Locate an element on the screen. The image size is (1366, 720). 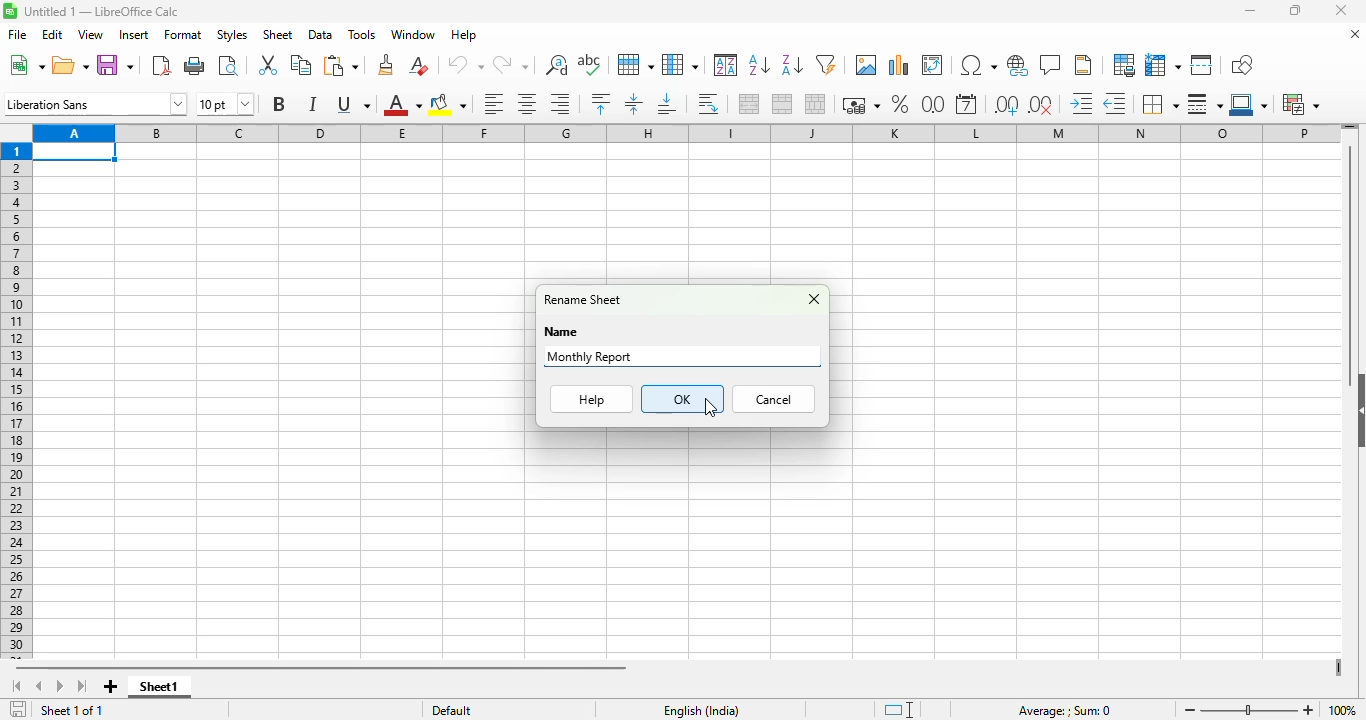
undo is located at coordinates (463, 65).